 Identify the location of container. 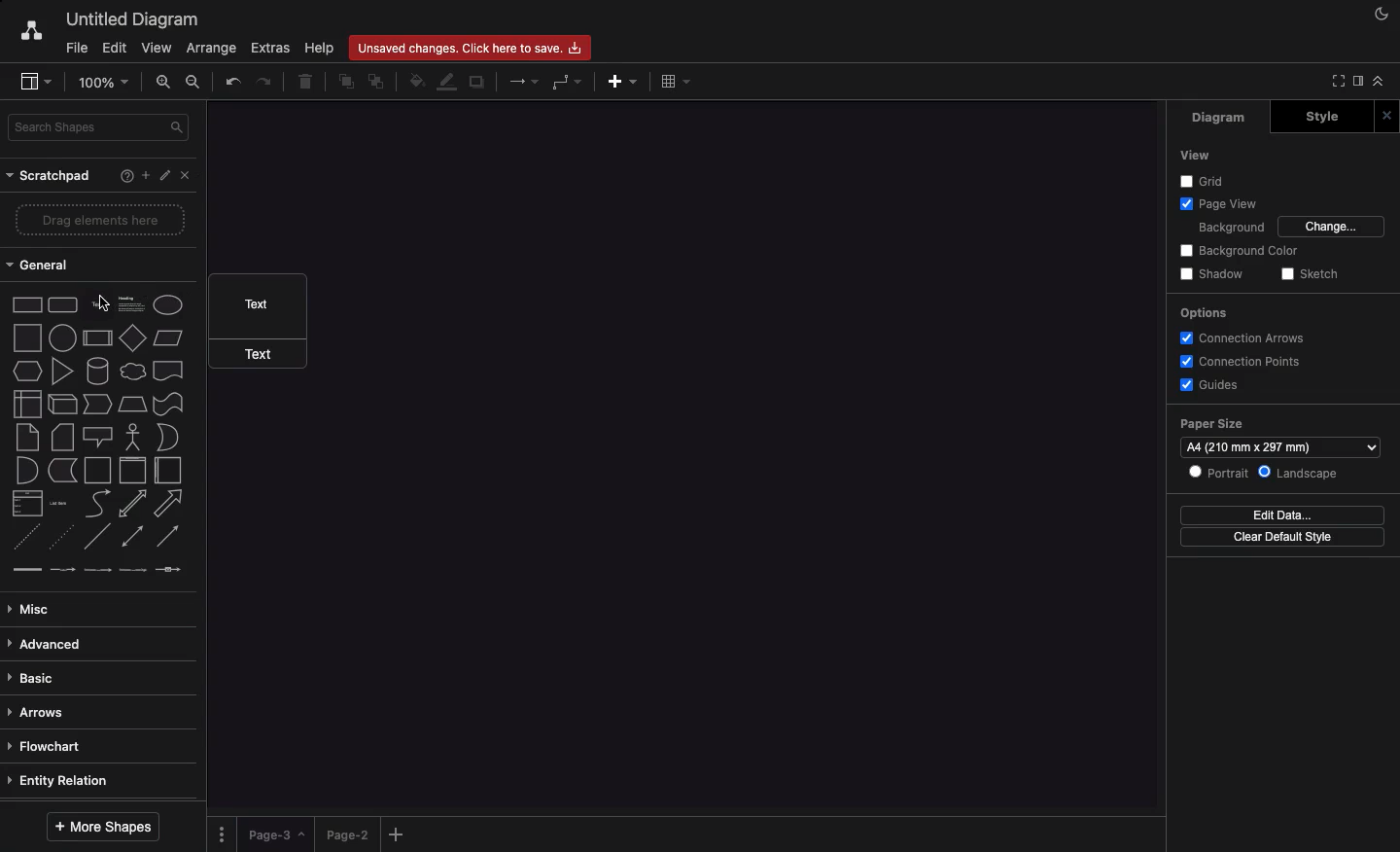
(97, 471).